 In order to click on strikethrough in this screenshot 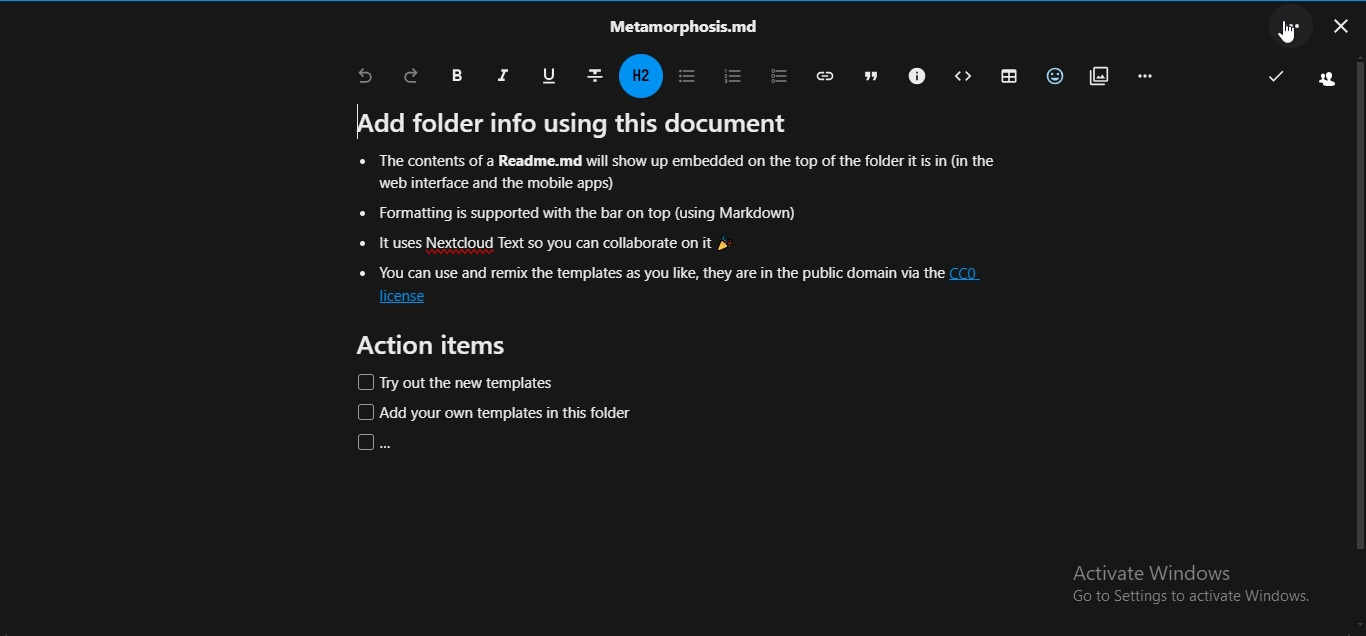, I will do `click(597, 76)`.